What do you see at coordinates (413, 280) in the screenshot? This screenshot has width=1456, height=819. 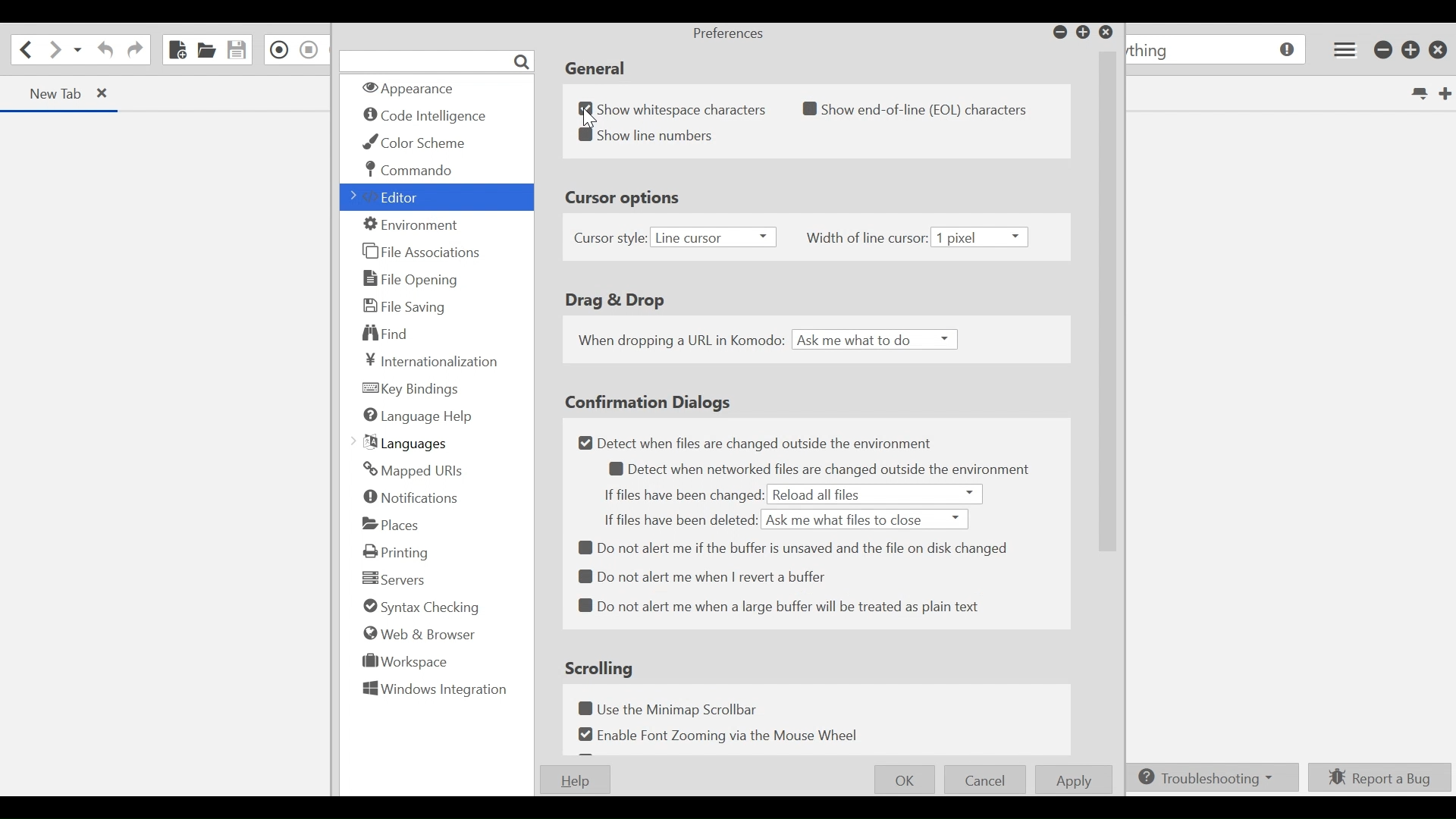 I see `File Opening` at bounding box center [413, 280].